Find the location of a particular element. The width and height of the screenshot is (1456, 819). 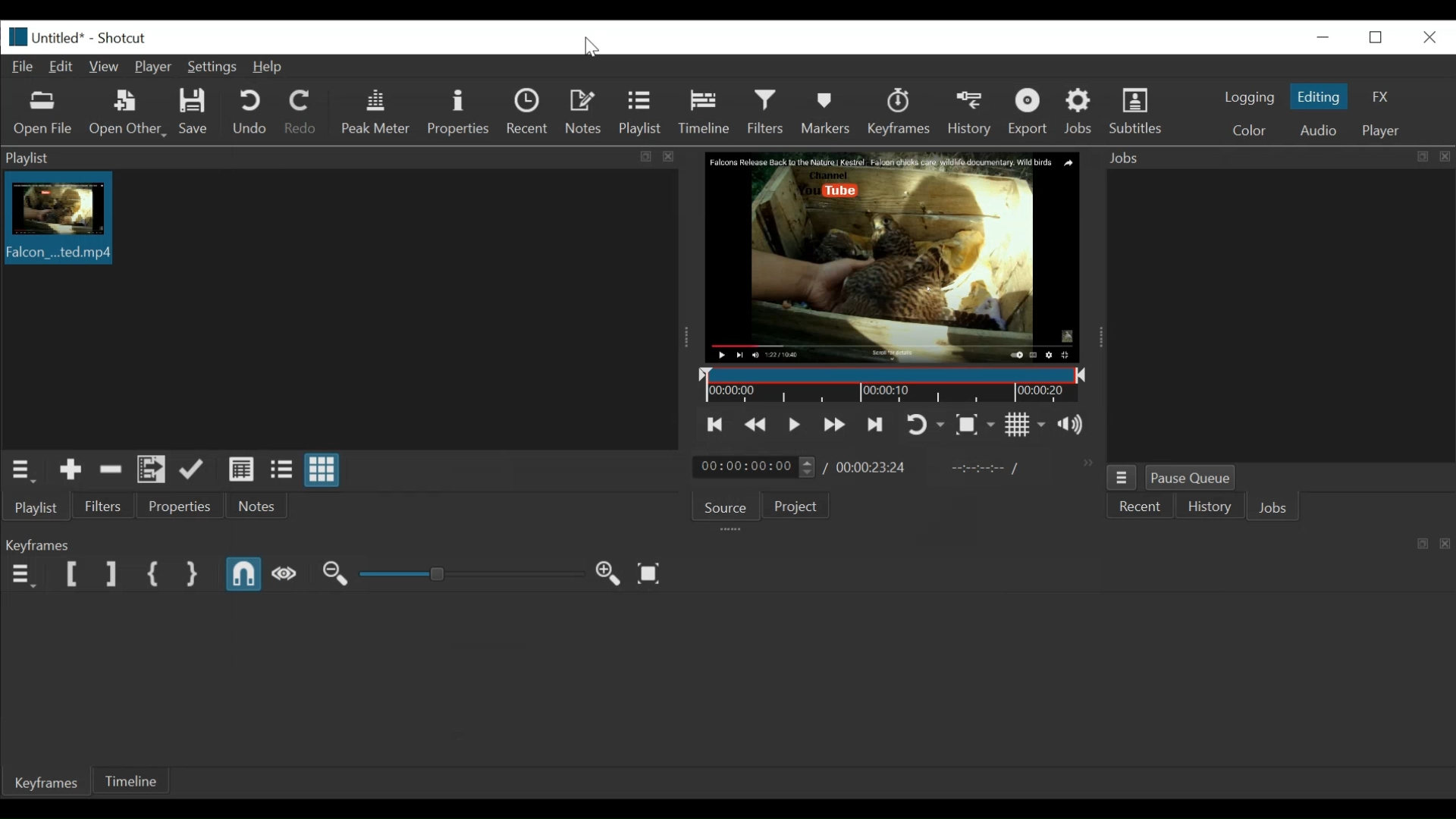

Show the volume control is located at coordinates (1072, 423).